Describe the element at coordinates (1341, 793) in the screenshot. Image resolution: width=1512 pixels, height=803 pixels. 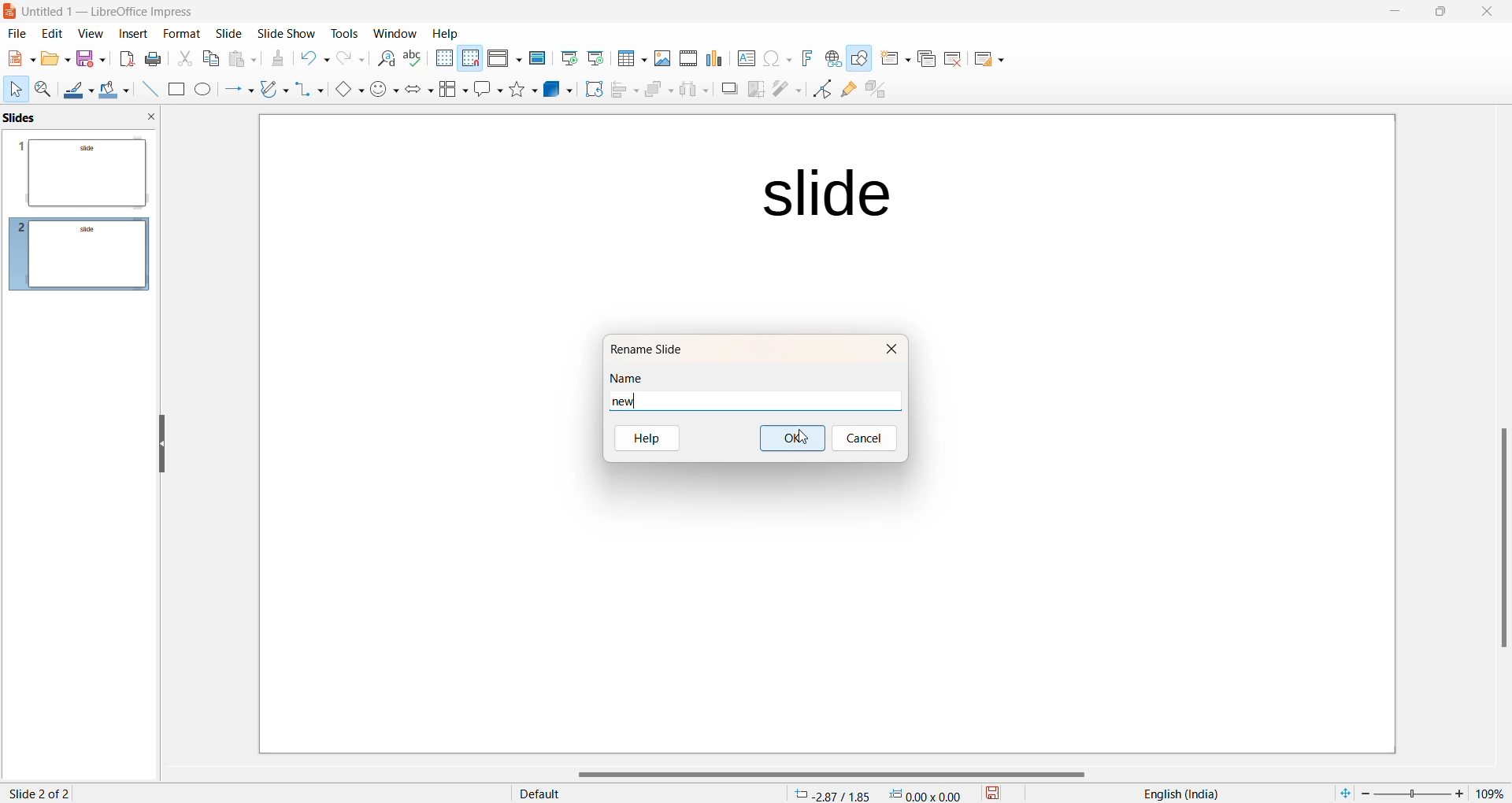
I see `fit to current window` at that location.